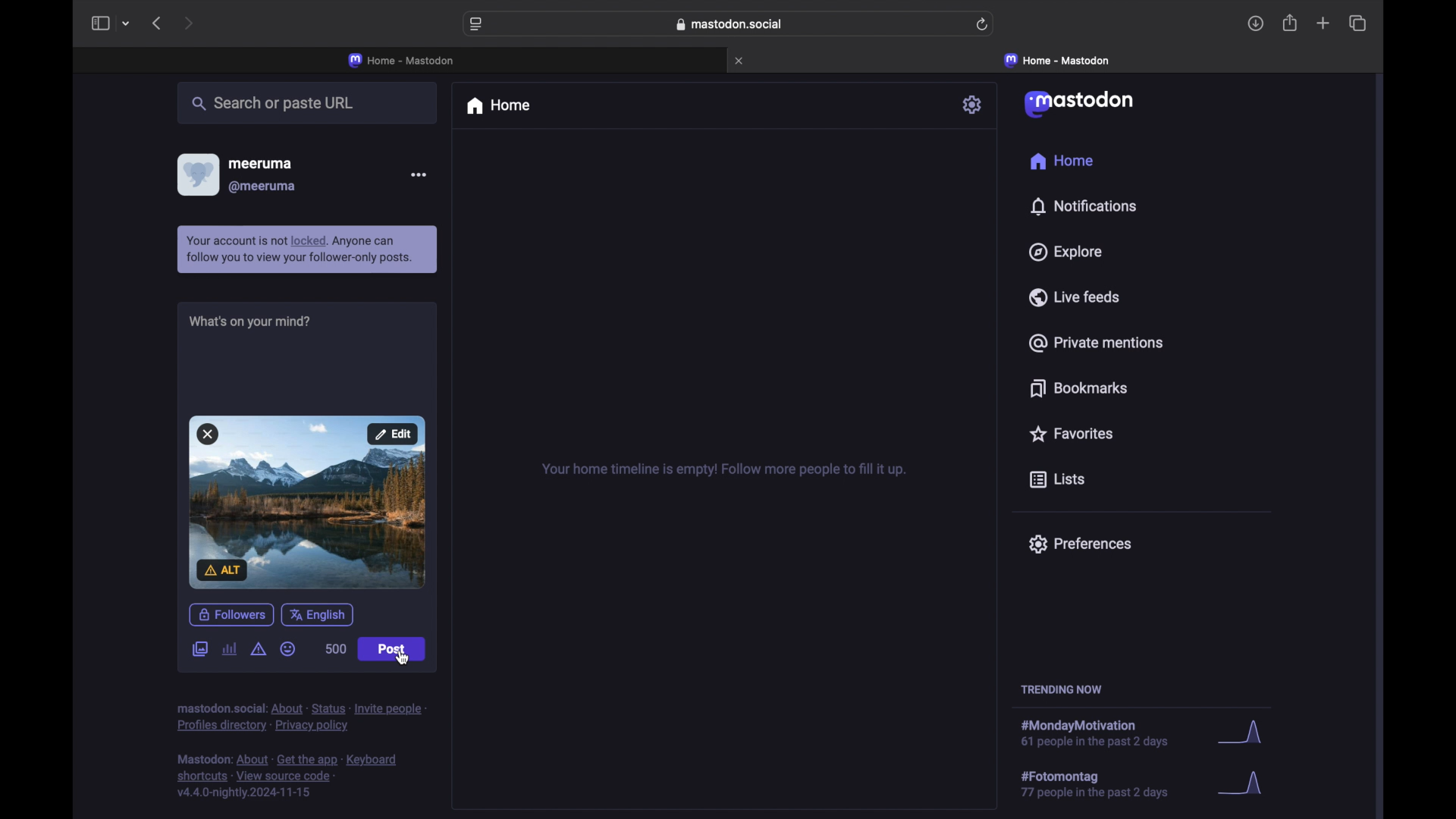 The width and height of the screenshot is (1456, 819). I want to click on graph, so click(1245, 786).